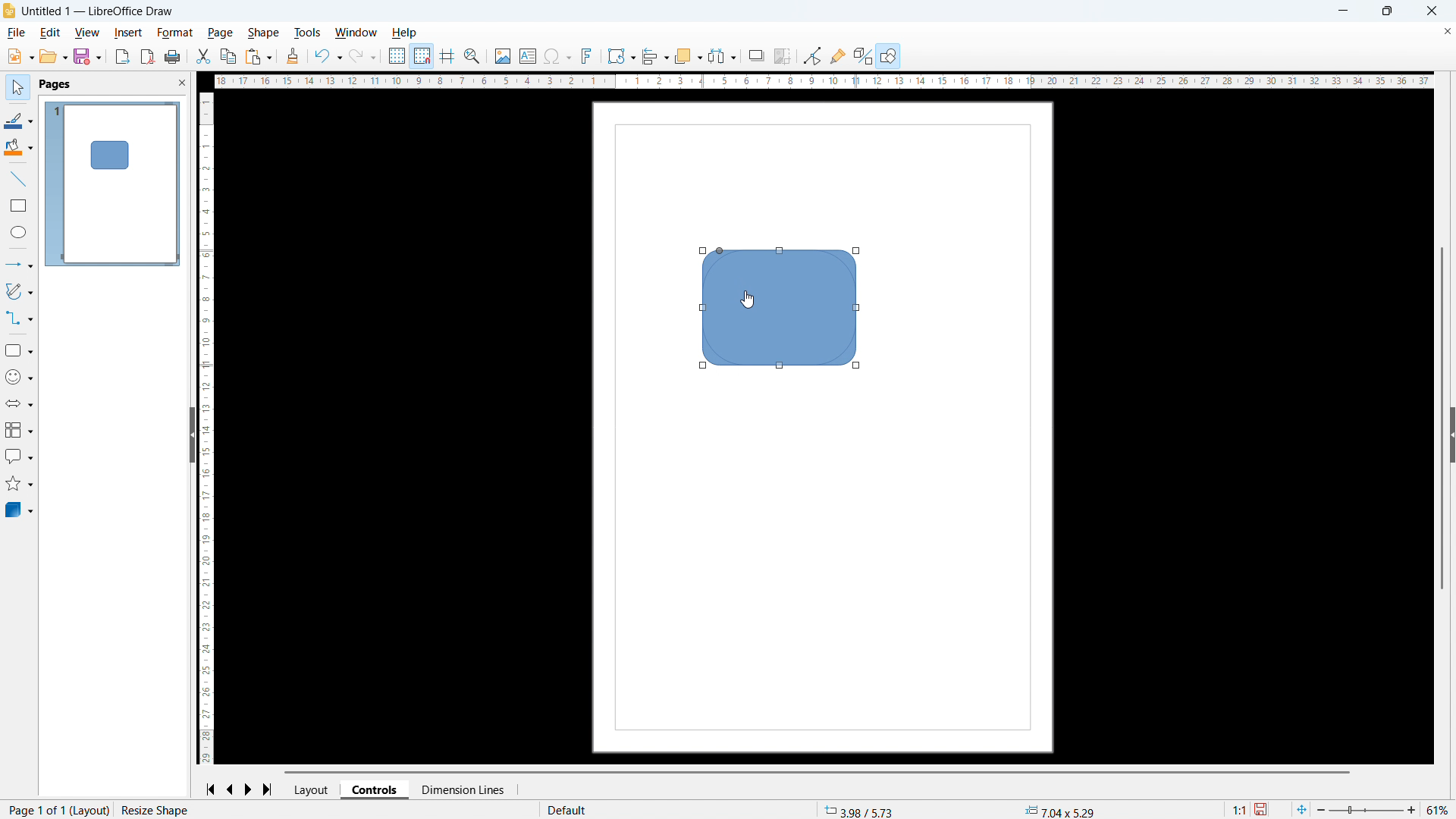  Describe the element at coordinates (1453, 434) in the screenshot. I see `Expand pane ` at that location.